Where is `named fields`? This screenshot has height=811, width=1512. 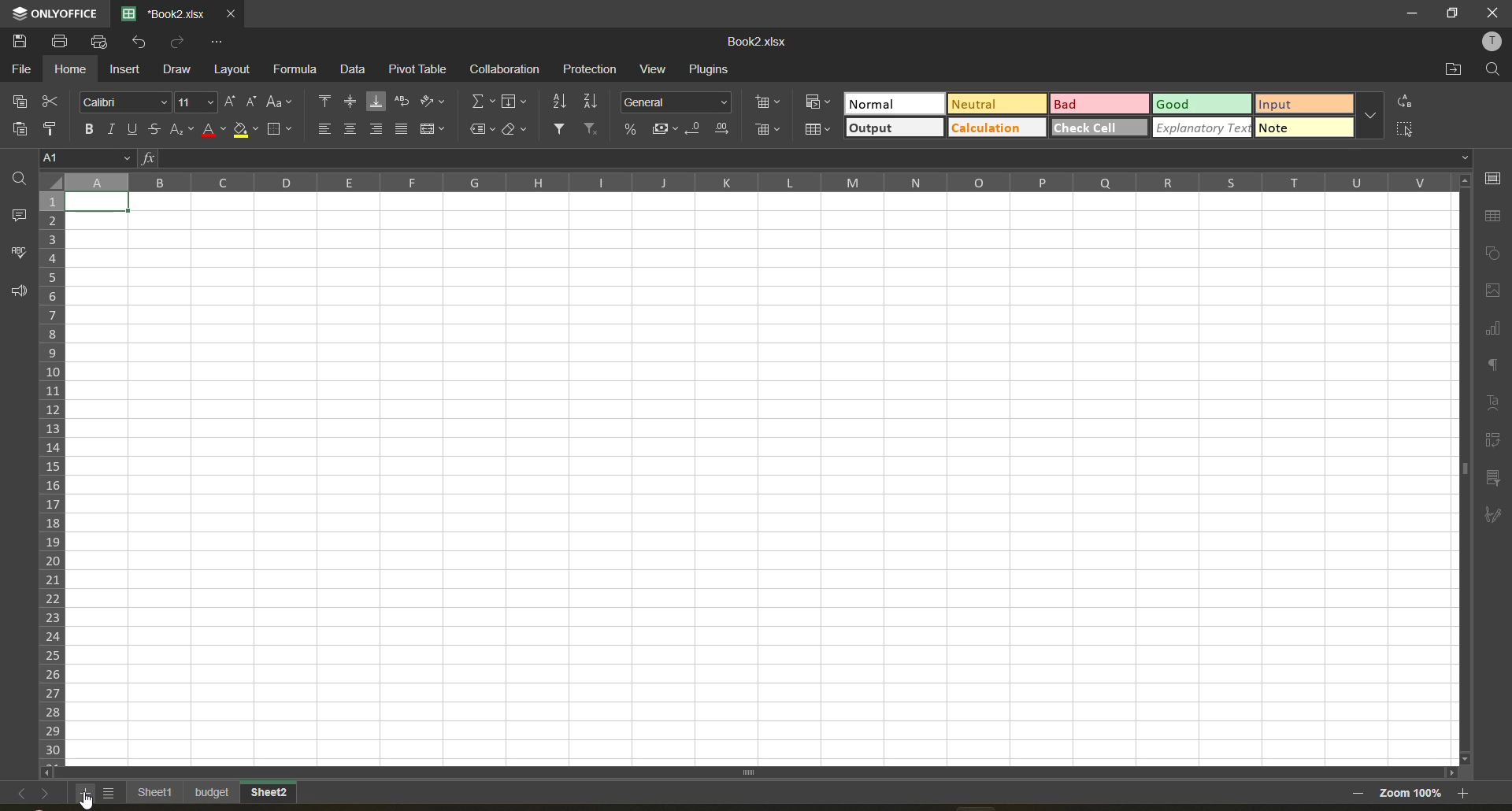 named fields is located at coordinates (479, 128).